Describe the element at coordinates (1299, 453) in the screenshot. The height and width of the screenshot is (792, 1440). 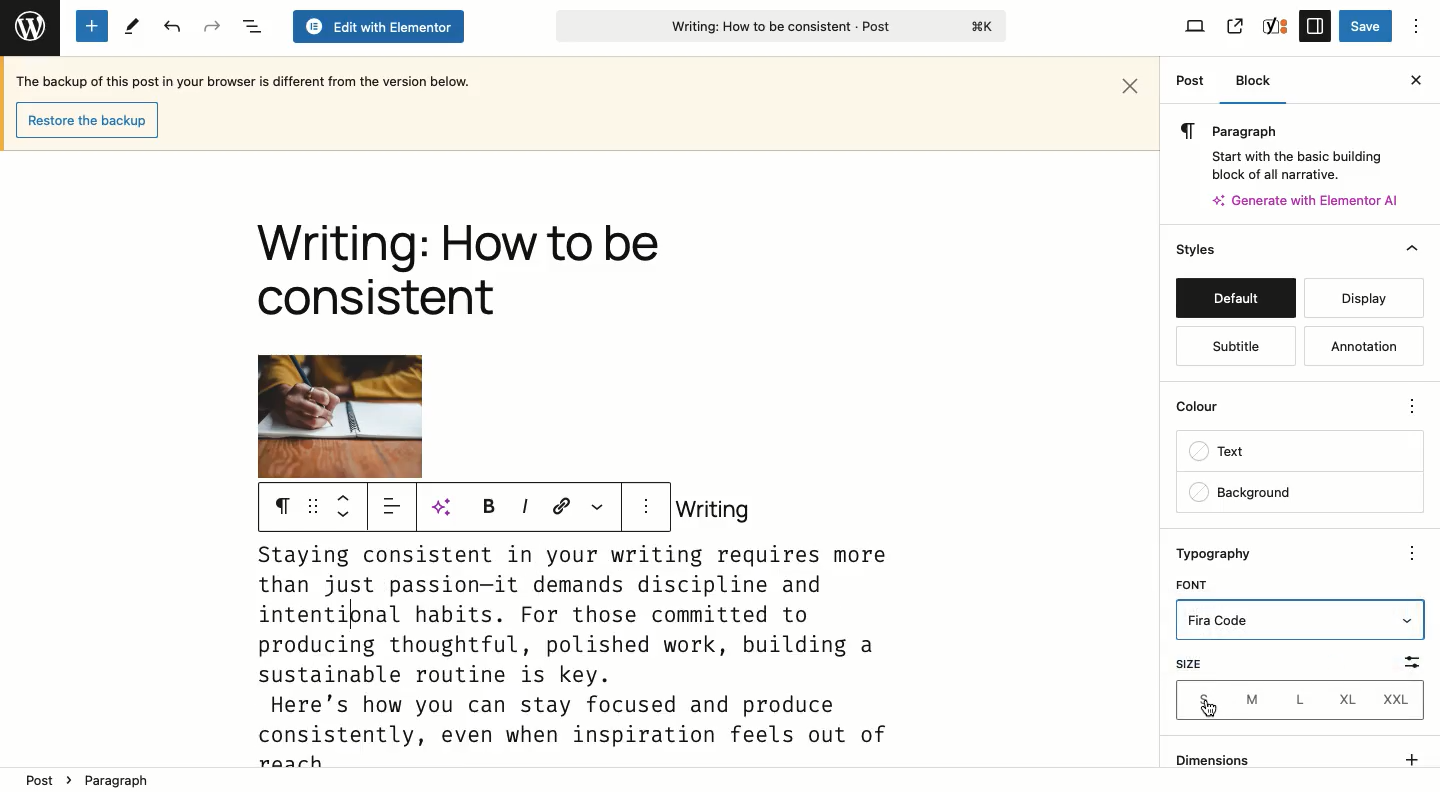
I see `Text` at that location.